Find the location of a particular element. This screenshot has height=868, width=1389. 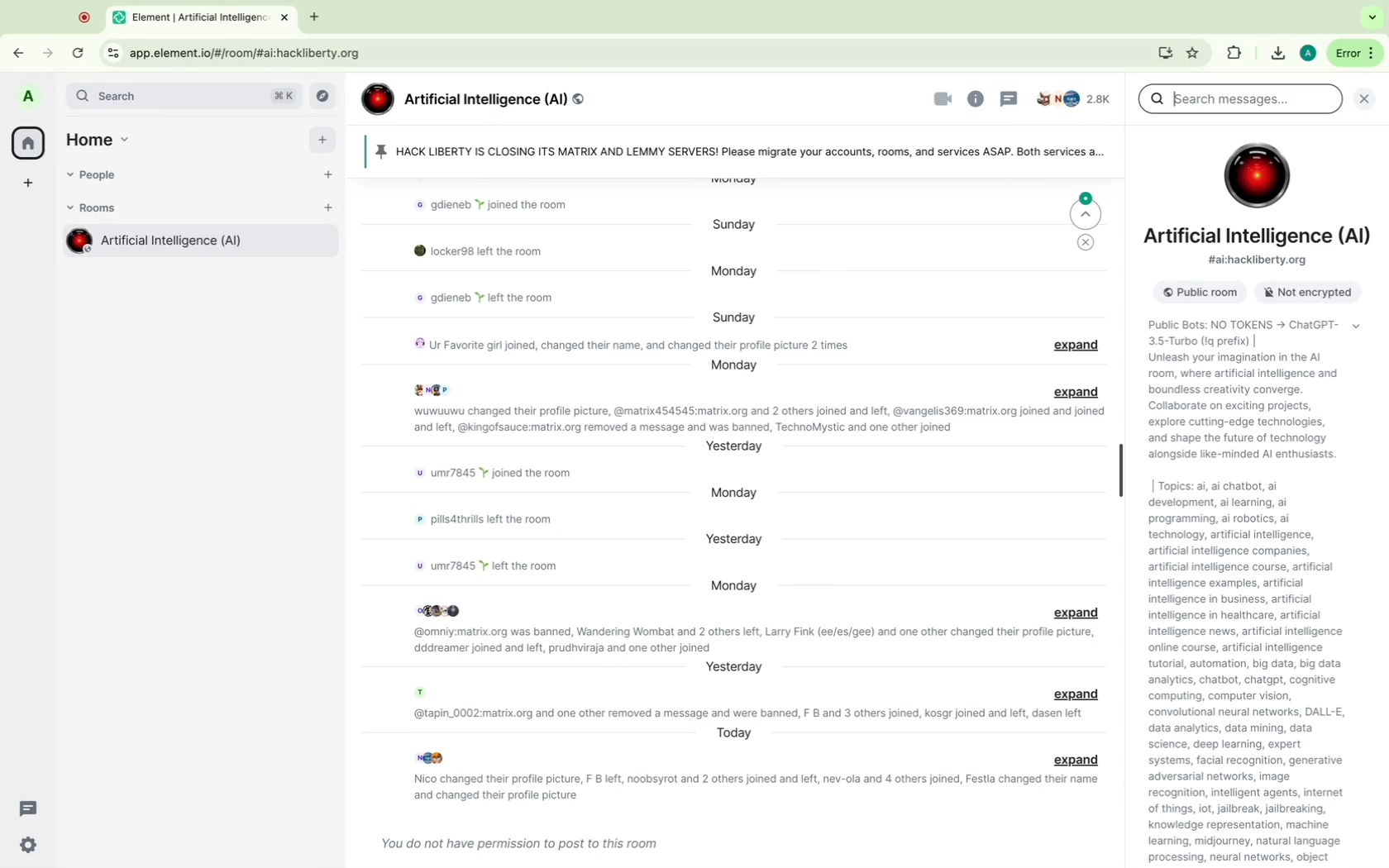

view site information is located at coordinates (112, 54).